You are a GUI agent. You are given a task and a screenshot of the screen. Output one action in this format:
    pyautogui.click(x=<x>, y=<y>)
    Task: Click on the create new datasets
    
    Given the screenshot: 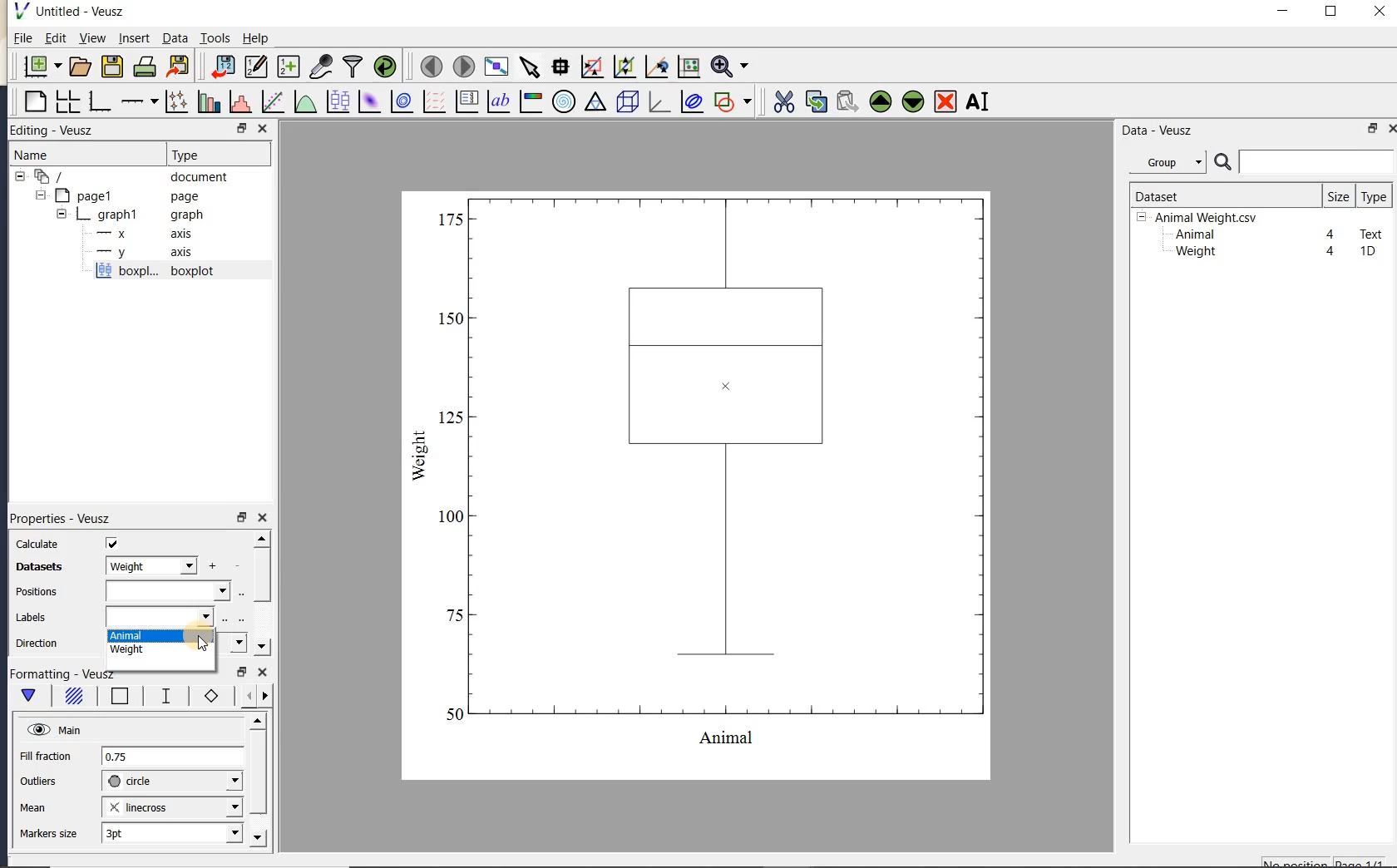 What is the action you would take?
    pyautogui.click(x=289, y=65)
    